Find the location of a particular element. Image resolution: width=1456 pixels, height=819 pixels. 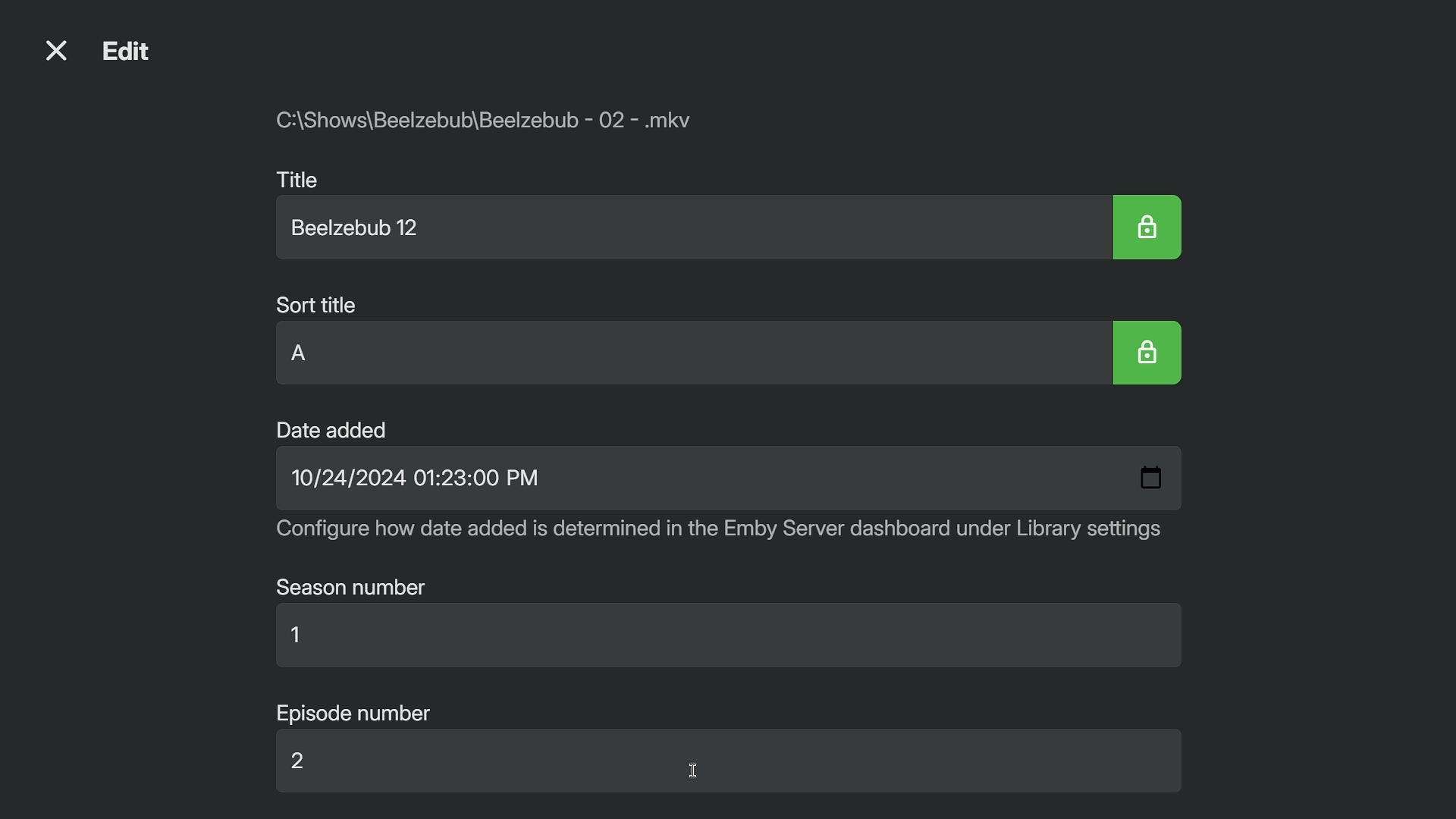

Date screen is located at coordinates (1148, 475).